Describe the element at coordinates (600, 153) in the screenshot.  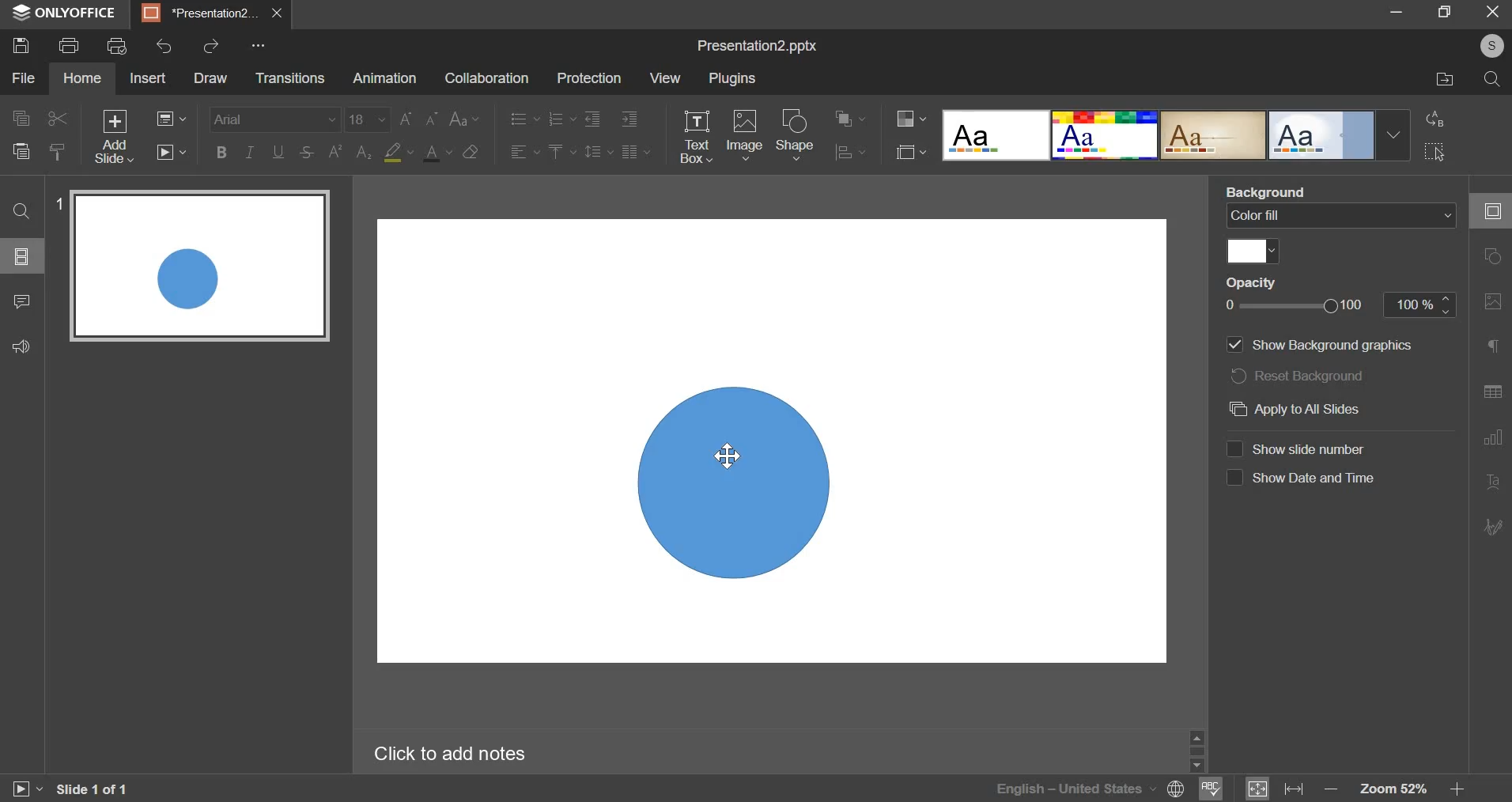
I see `line spacing` at that location.